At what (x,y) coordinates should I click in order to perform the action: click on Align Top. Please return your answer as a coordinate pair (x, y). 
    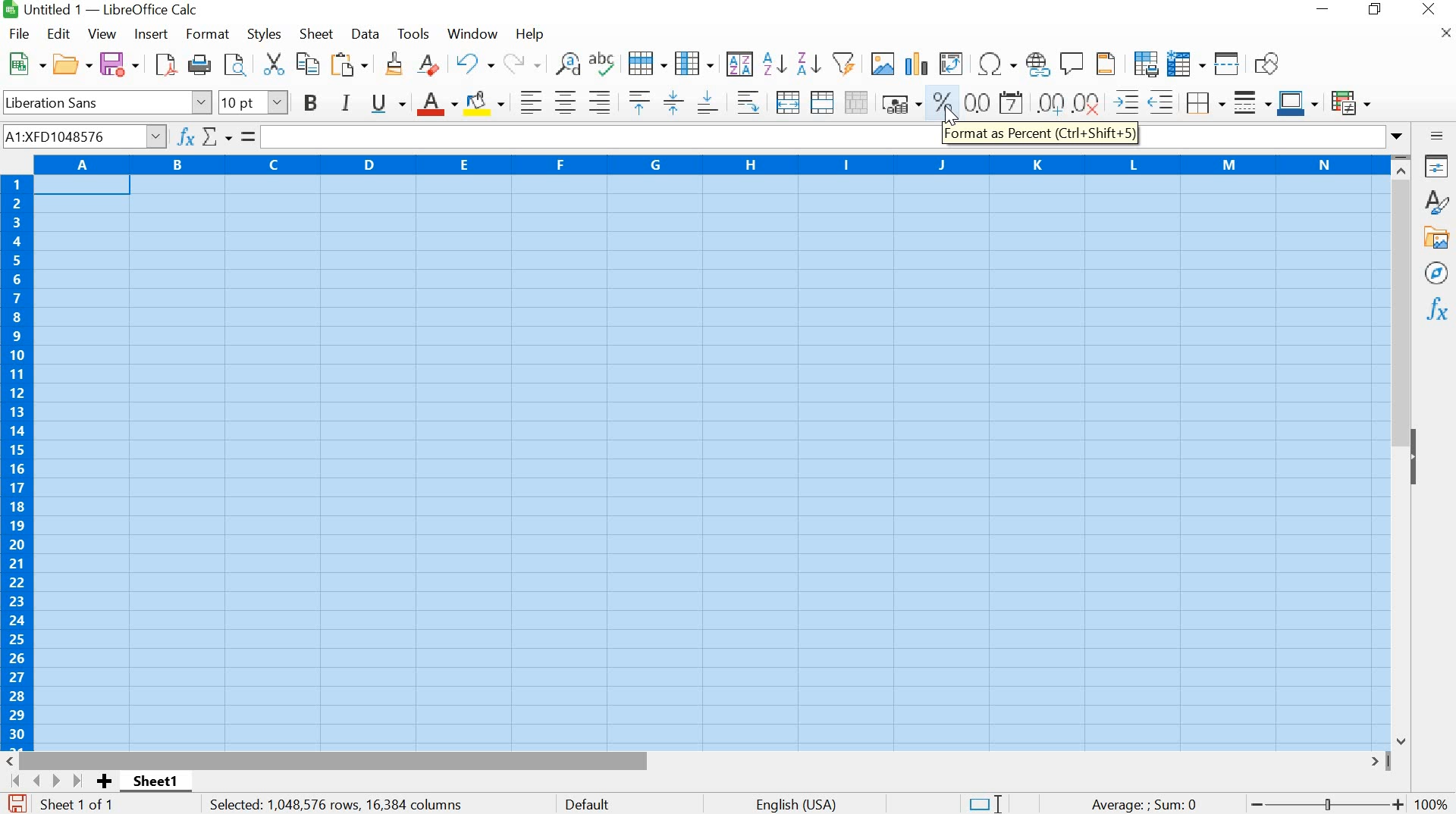
    Looking at the image, I should click on (639, 101).